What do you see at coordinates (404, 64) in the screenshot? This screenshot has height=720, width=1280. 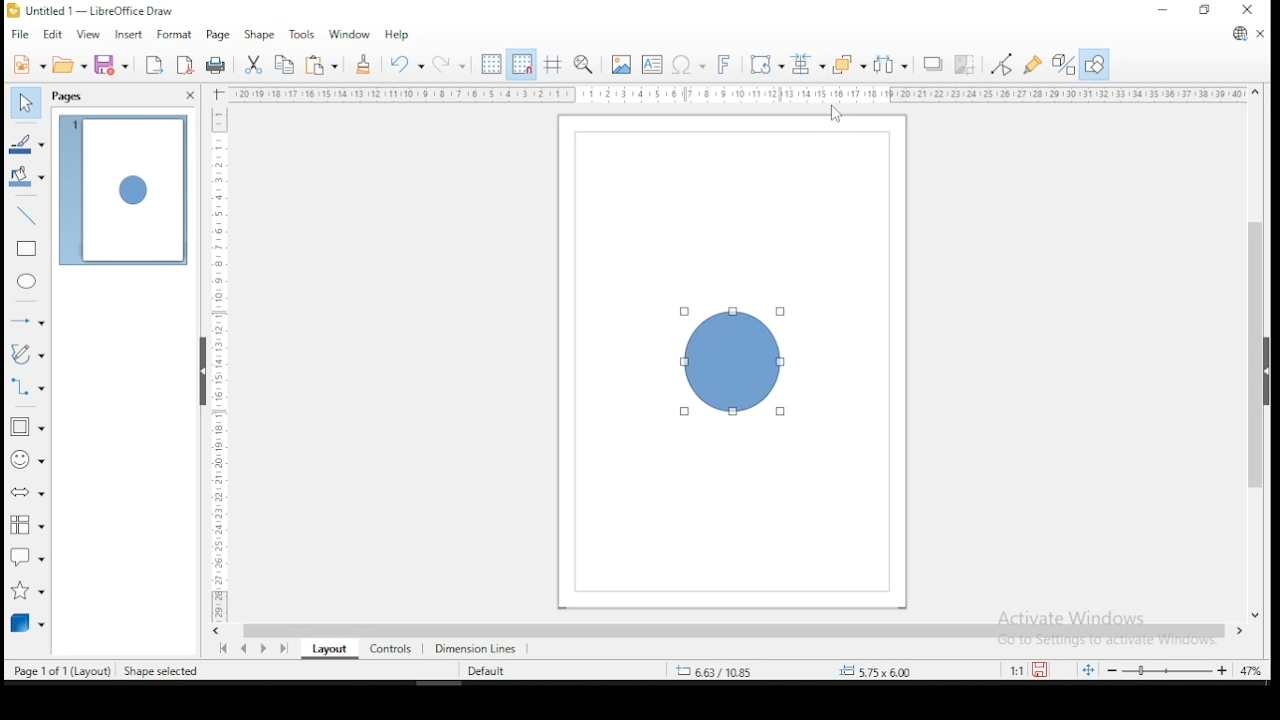 I see `undo` at bounding box center [404, 64].